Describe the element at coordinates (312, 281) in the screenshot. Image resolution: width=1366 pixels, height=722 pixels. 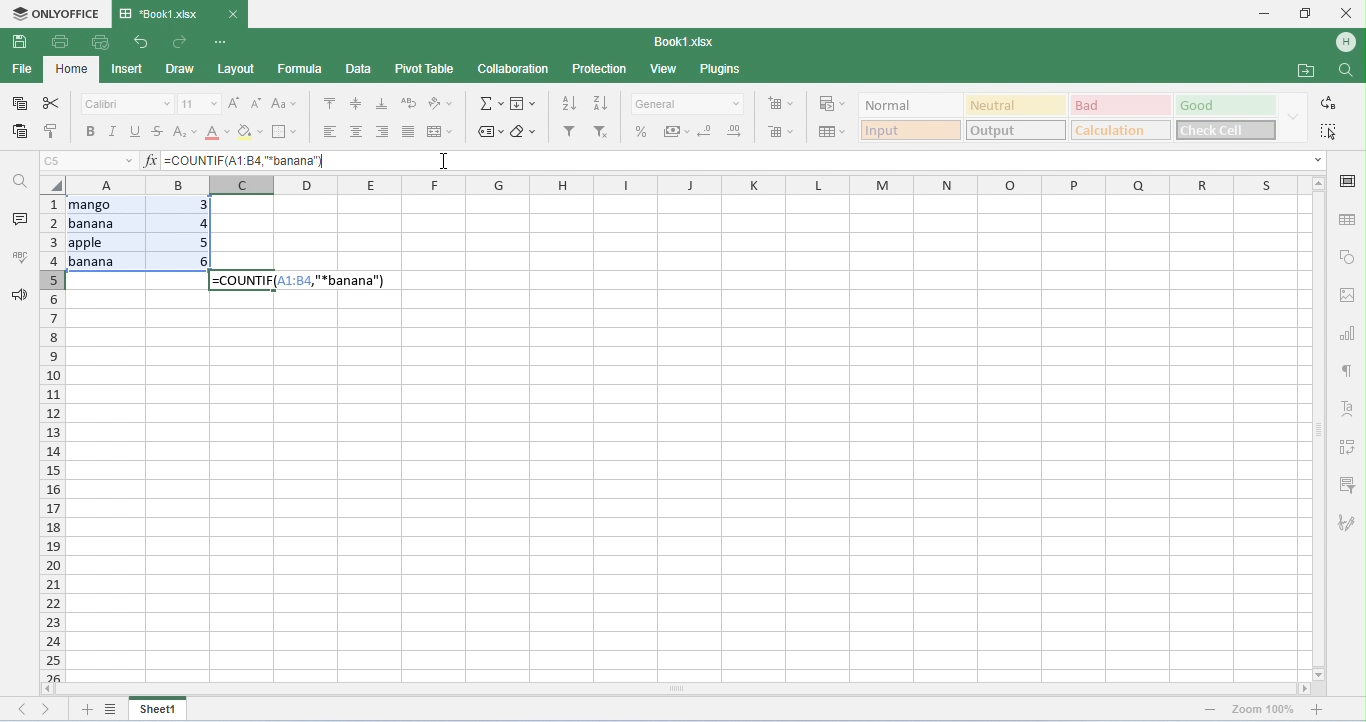
I see `formula appeared in selected cell` at that location.